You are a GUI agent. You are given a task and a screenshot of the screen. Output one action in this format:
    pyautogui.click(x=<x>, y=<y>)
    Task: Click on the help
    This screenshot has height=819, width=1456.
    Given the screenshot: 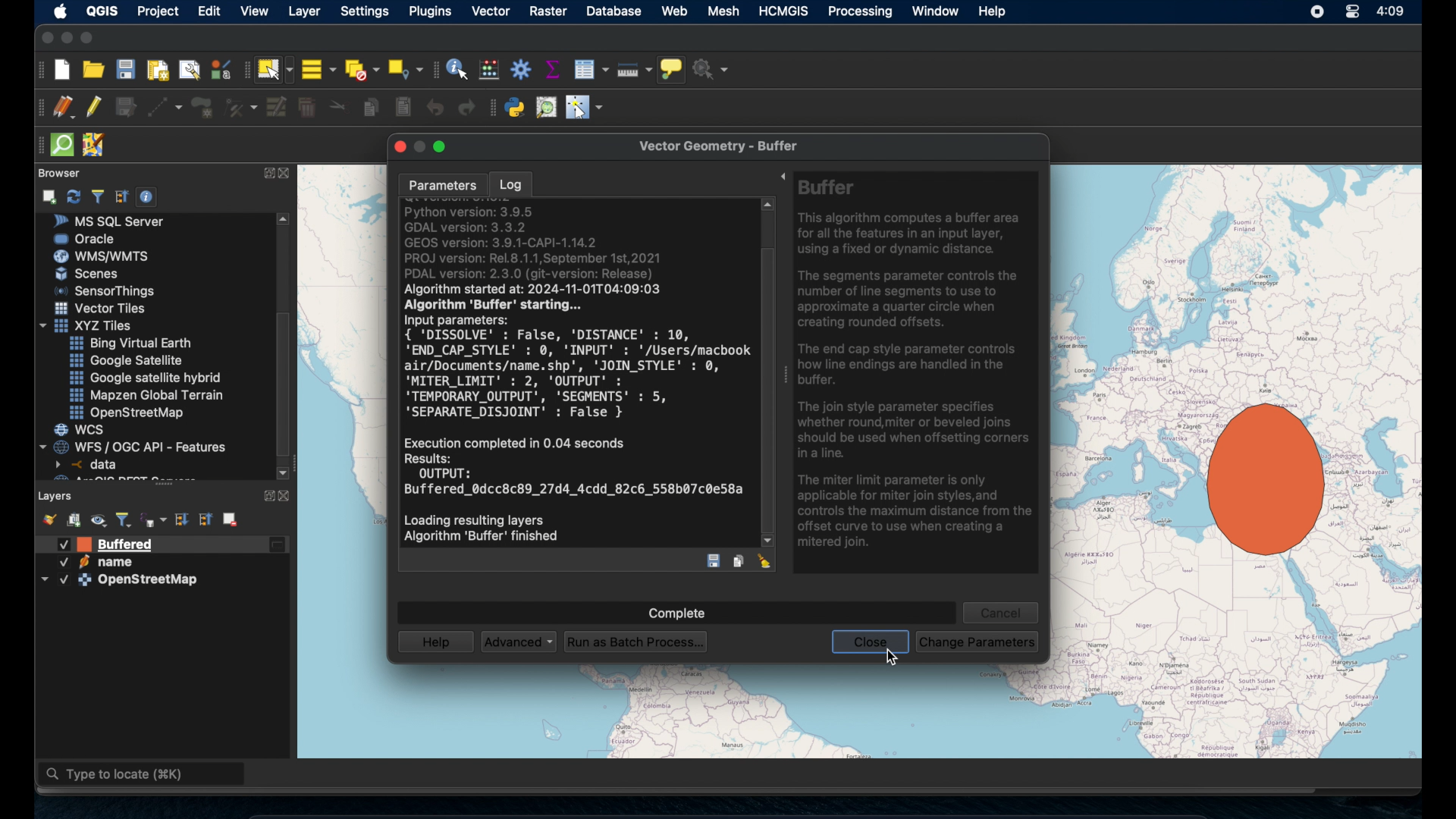 What is the action you would take?
    pyautogui.click(x=435, y=642)
    